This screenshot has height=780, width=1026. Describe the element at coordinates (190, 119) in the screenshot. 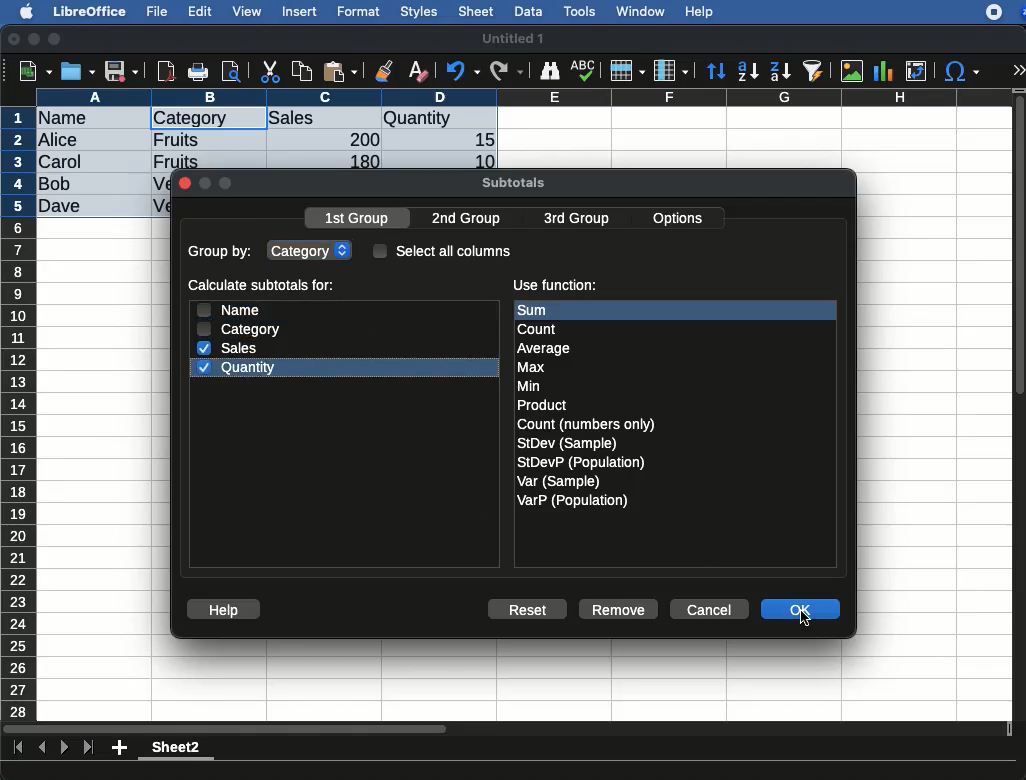

I see `category` at that location.